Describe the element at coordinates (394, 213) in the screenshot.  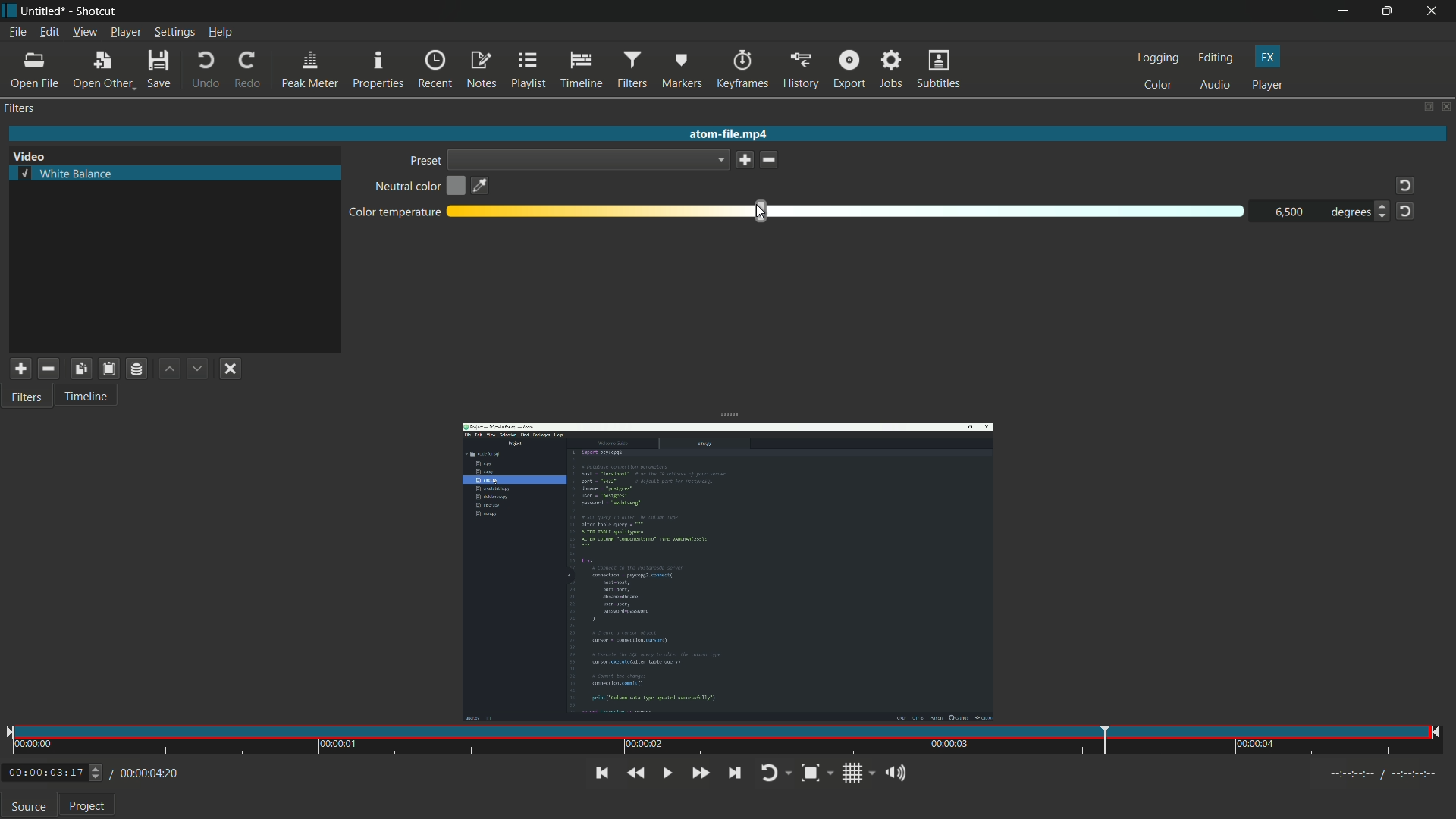
I see `color temperature` at that location.